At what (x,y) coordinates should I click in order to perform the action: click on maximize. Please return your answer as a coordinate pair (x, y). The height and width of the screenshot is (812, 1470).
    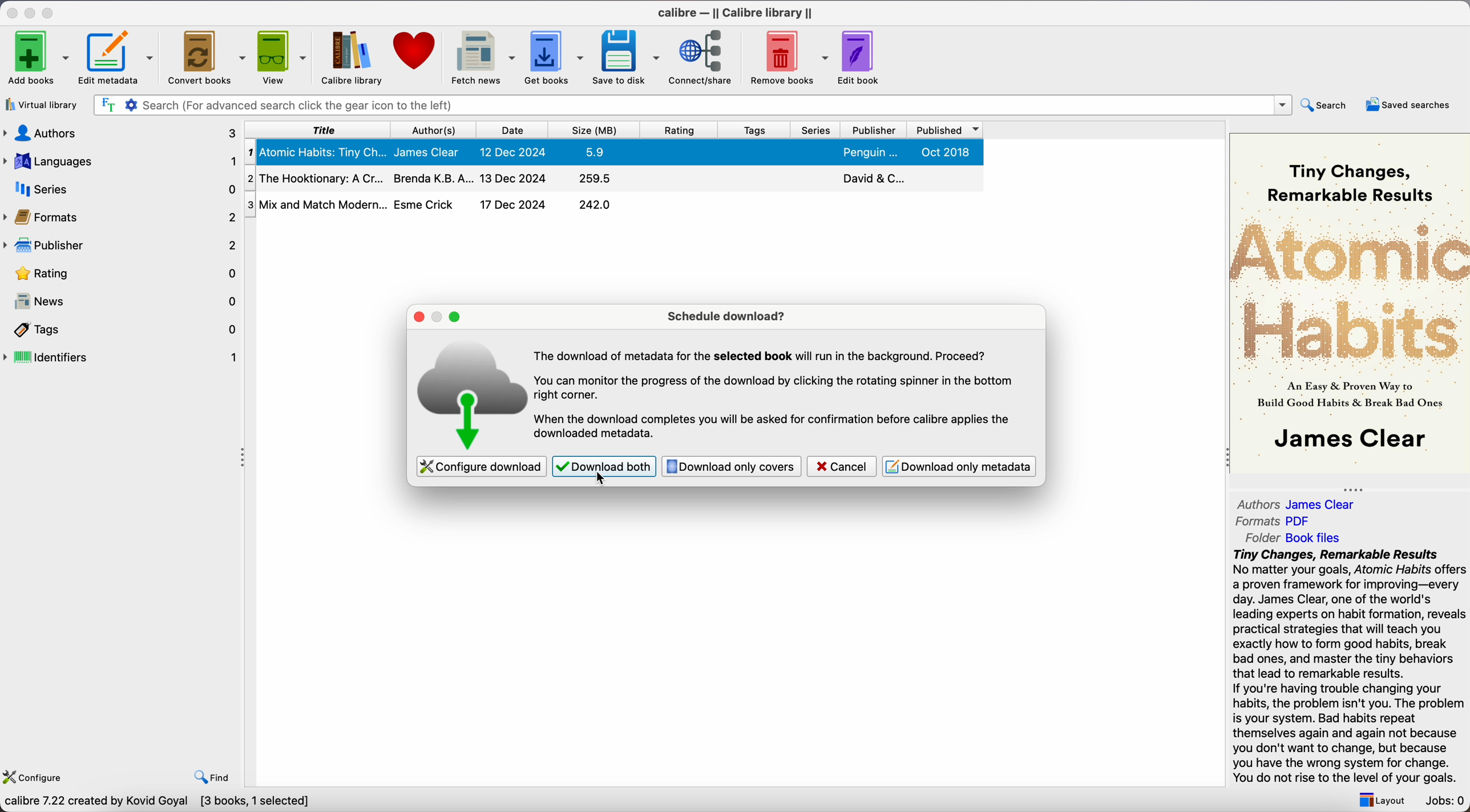
    Looking at the image, I should click on (457, 318).